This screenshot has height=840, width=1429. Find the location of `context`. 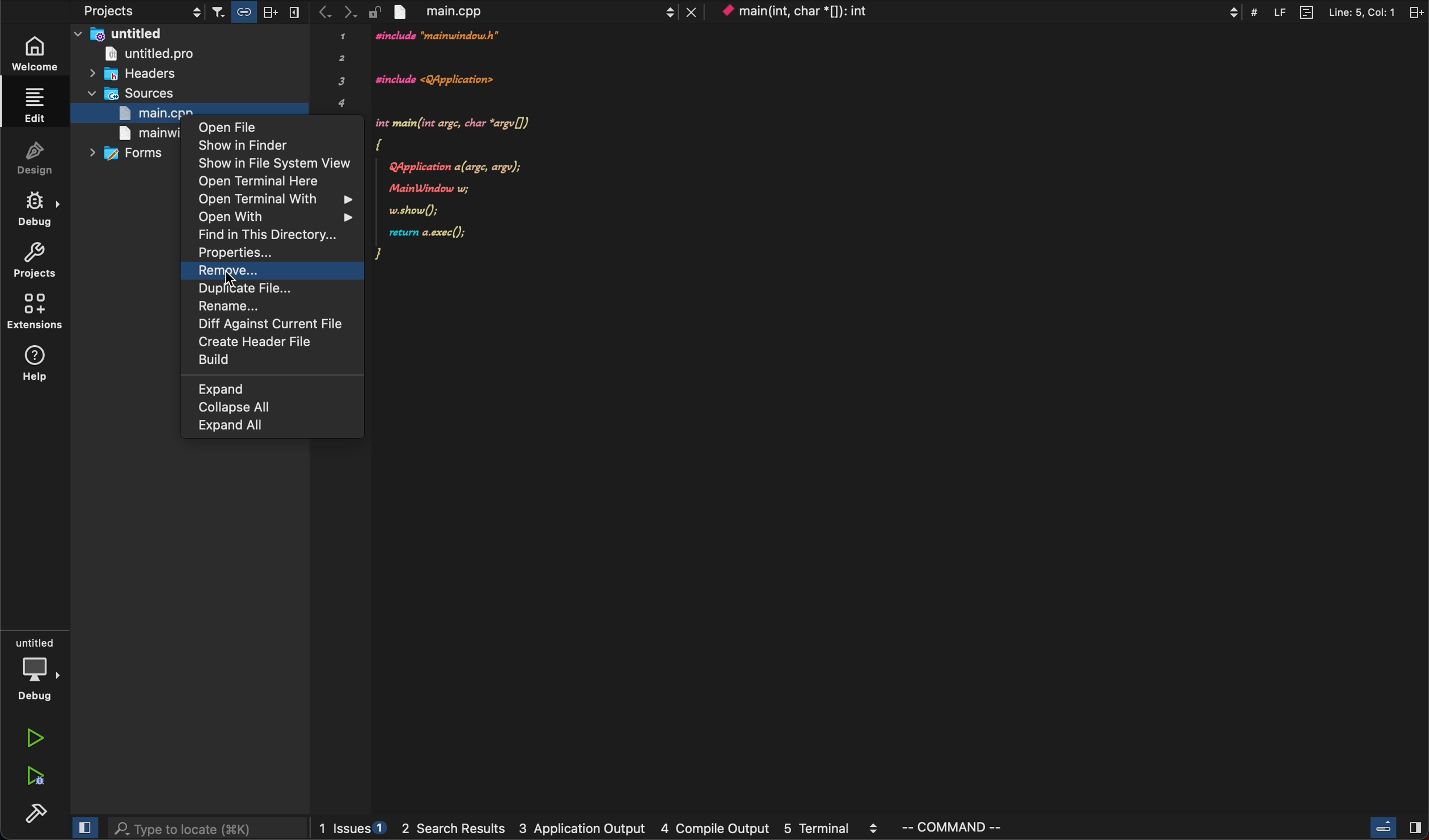

context is located at coordinates (979, 12).